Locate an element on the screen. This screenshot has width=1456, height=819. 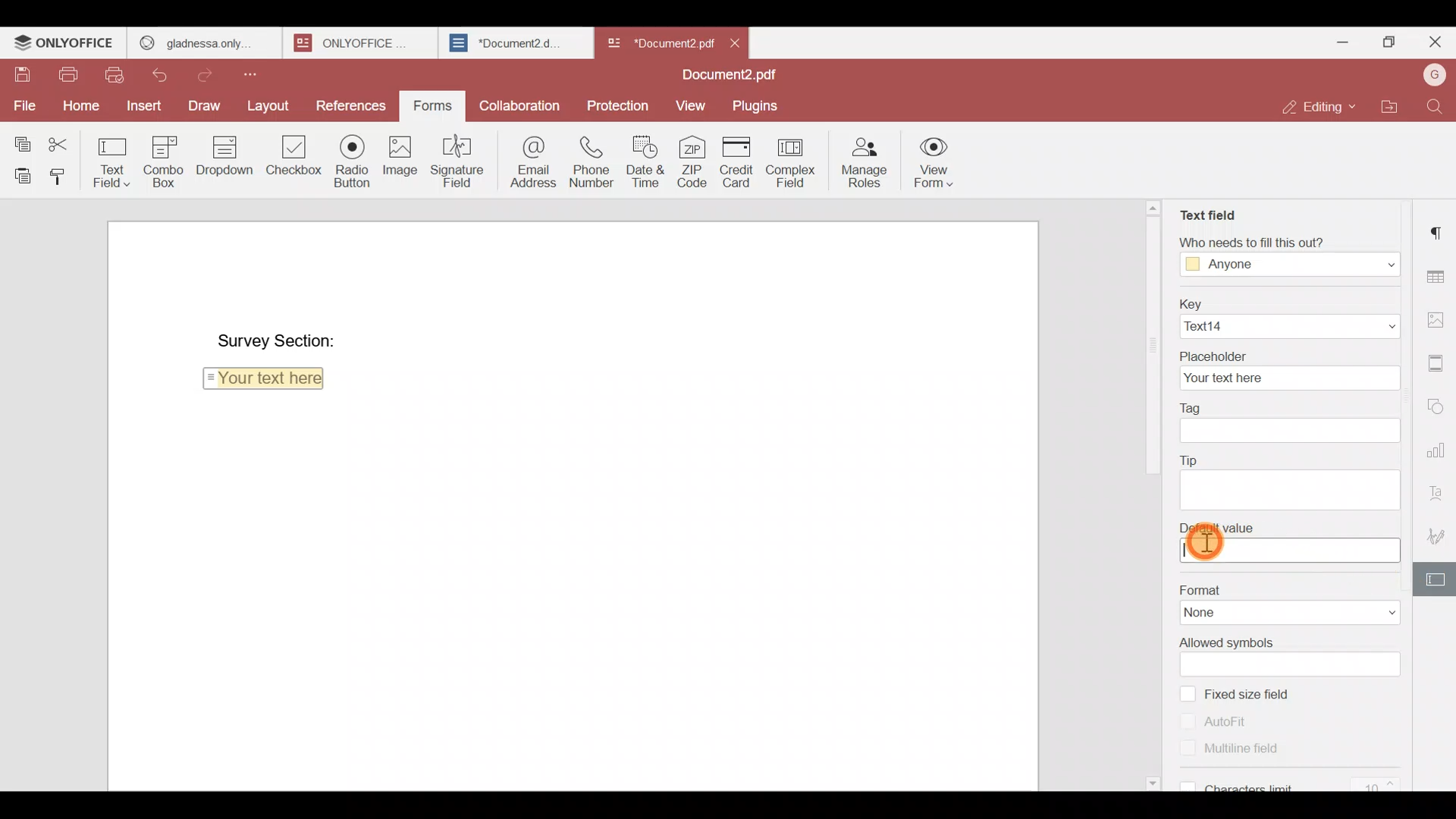
Text Art settings is located at coordinates (1439, 491).